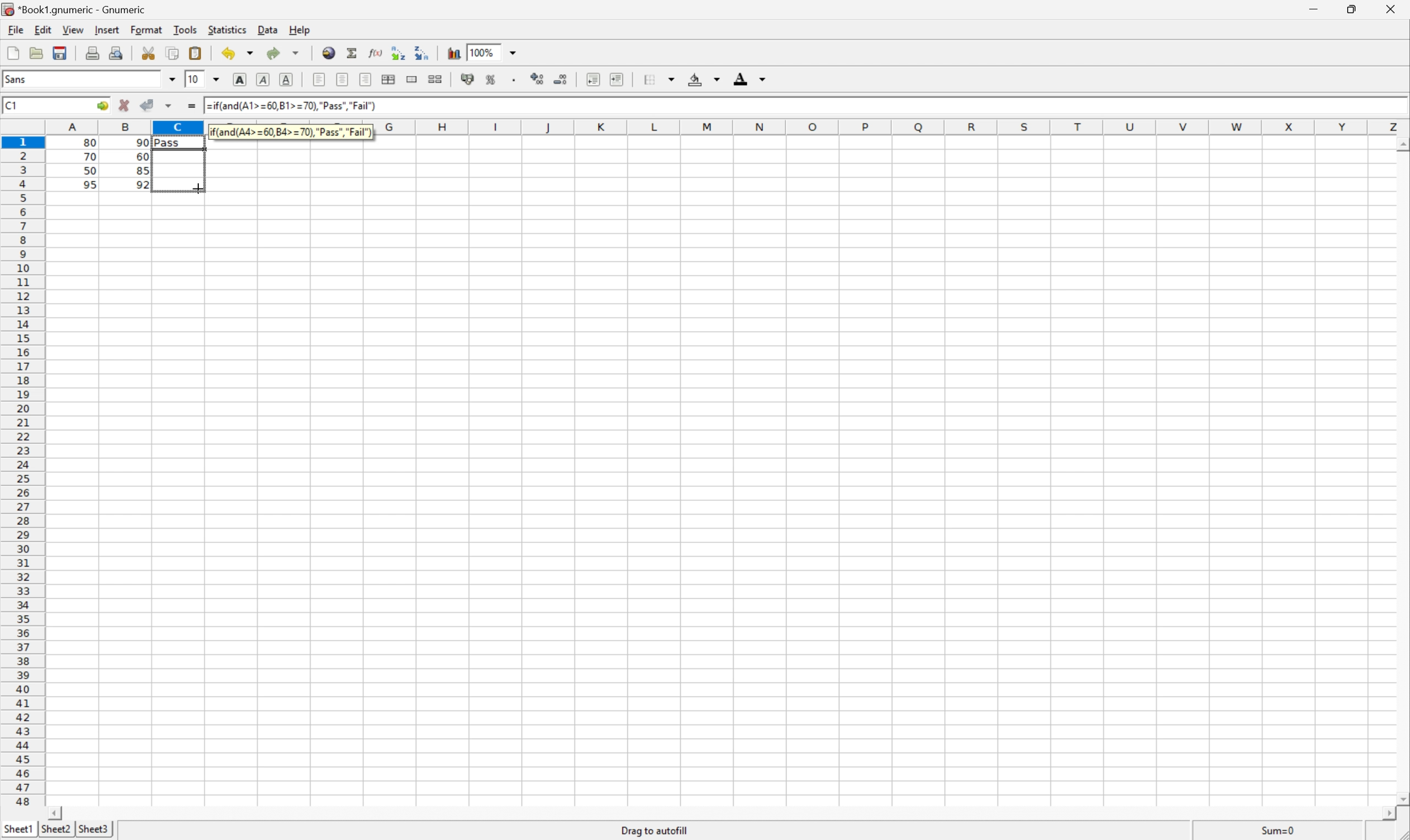 The width and height of the screenshot is (1410, 840). What do you see at coordinates (93, 829) in the screenshot?
I see `Sheet3` at bounding box center [93, 829].